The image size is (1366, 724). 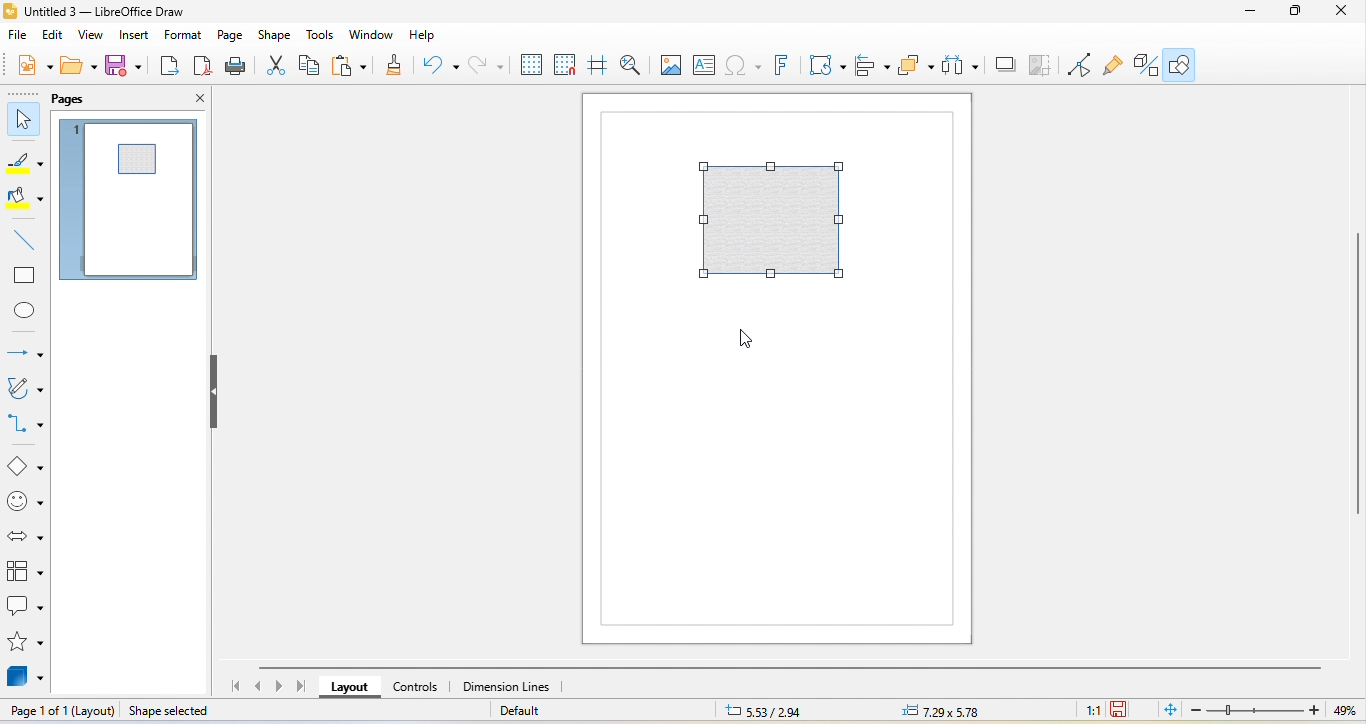 What do you see at coordinates (26, 200) in the screenshot?
I see `fill color` at bounding box center [26, 200].